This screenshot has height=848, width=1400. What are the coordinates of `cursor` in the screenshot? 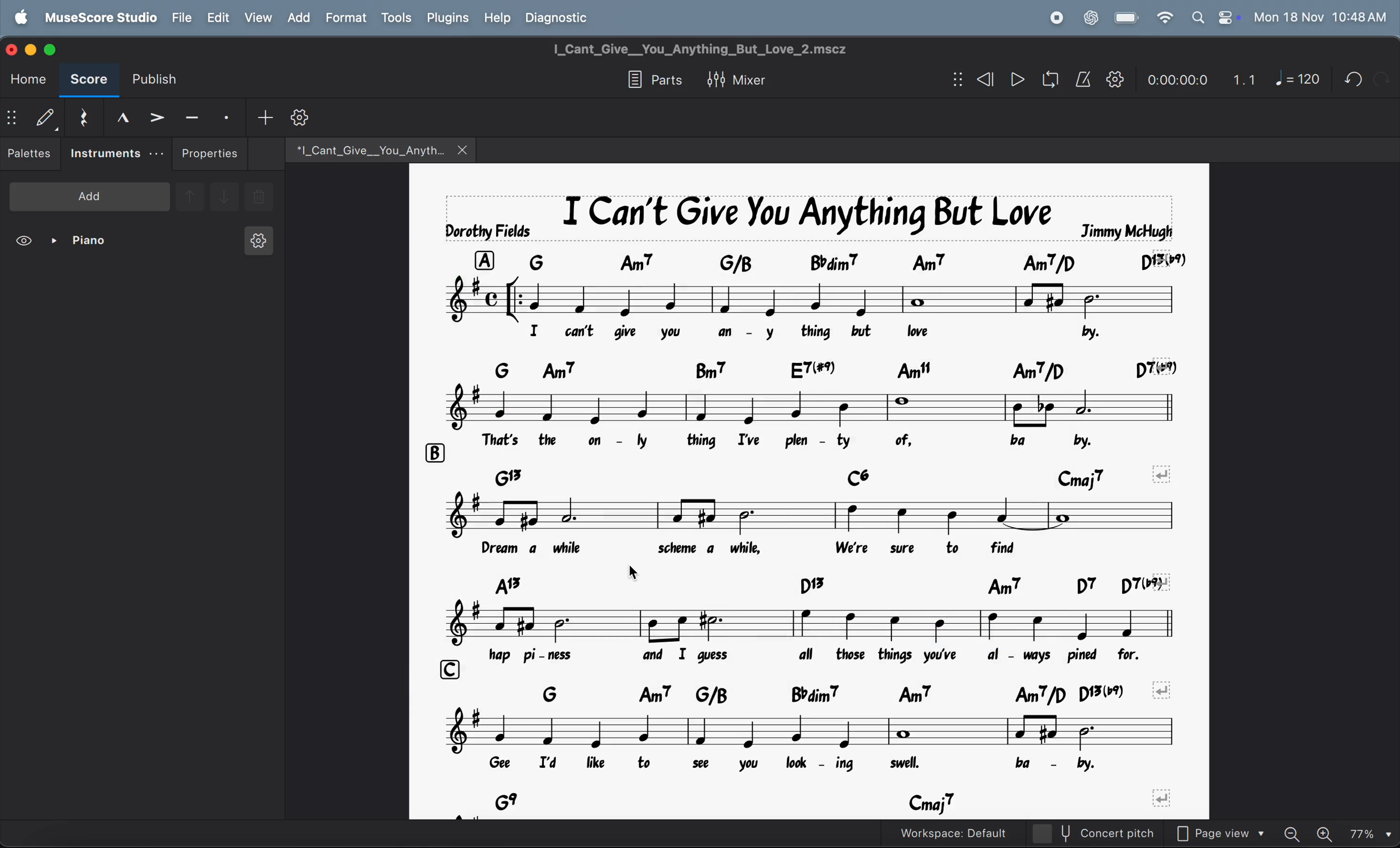 It's located at (630, 574).